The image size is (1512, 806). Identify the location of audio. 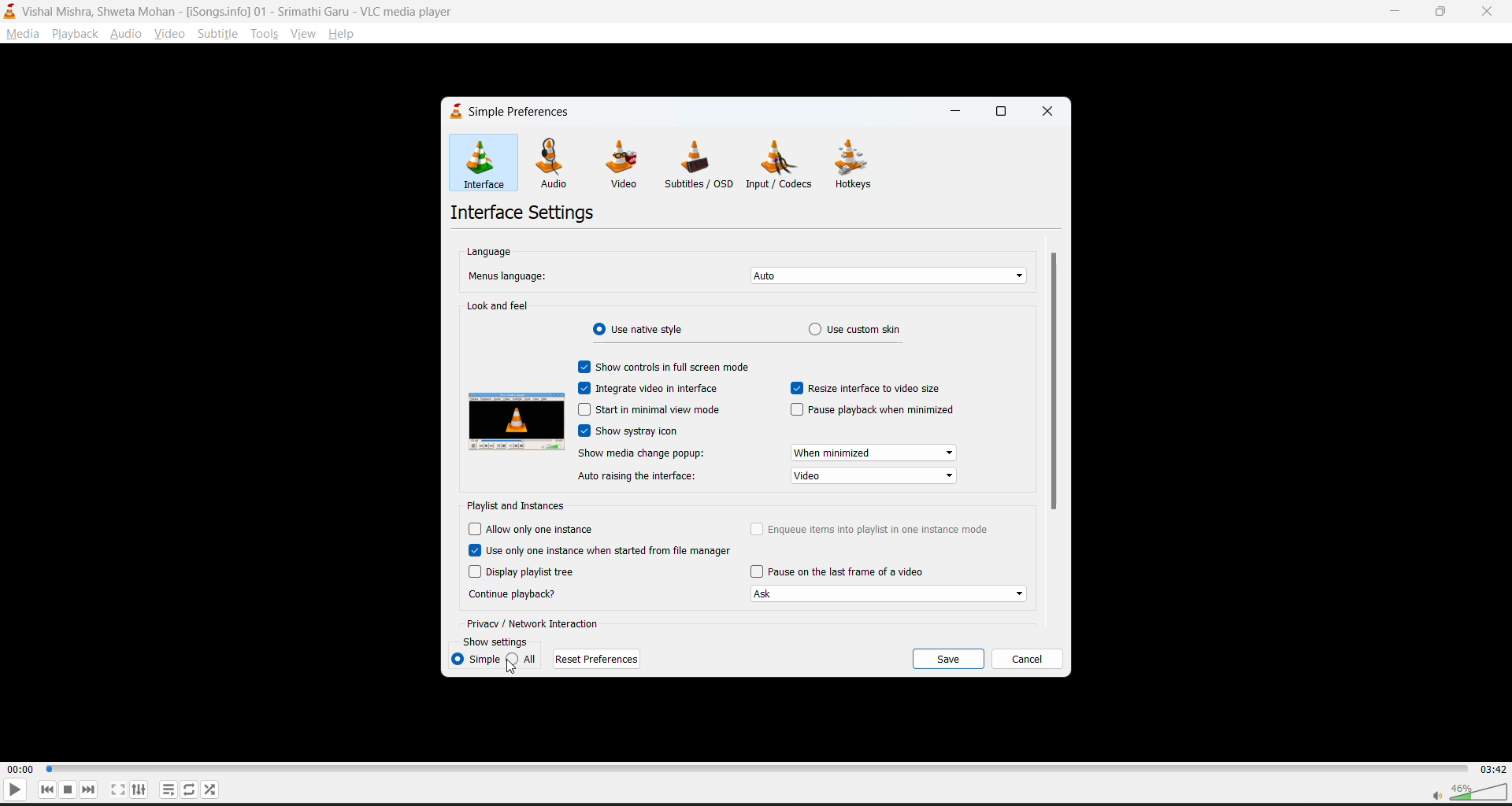
(551, 161).